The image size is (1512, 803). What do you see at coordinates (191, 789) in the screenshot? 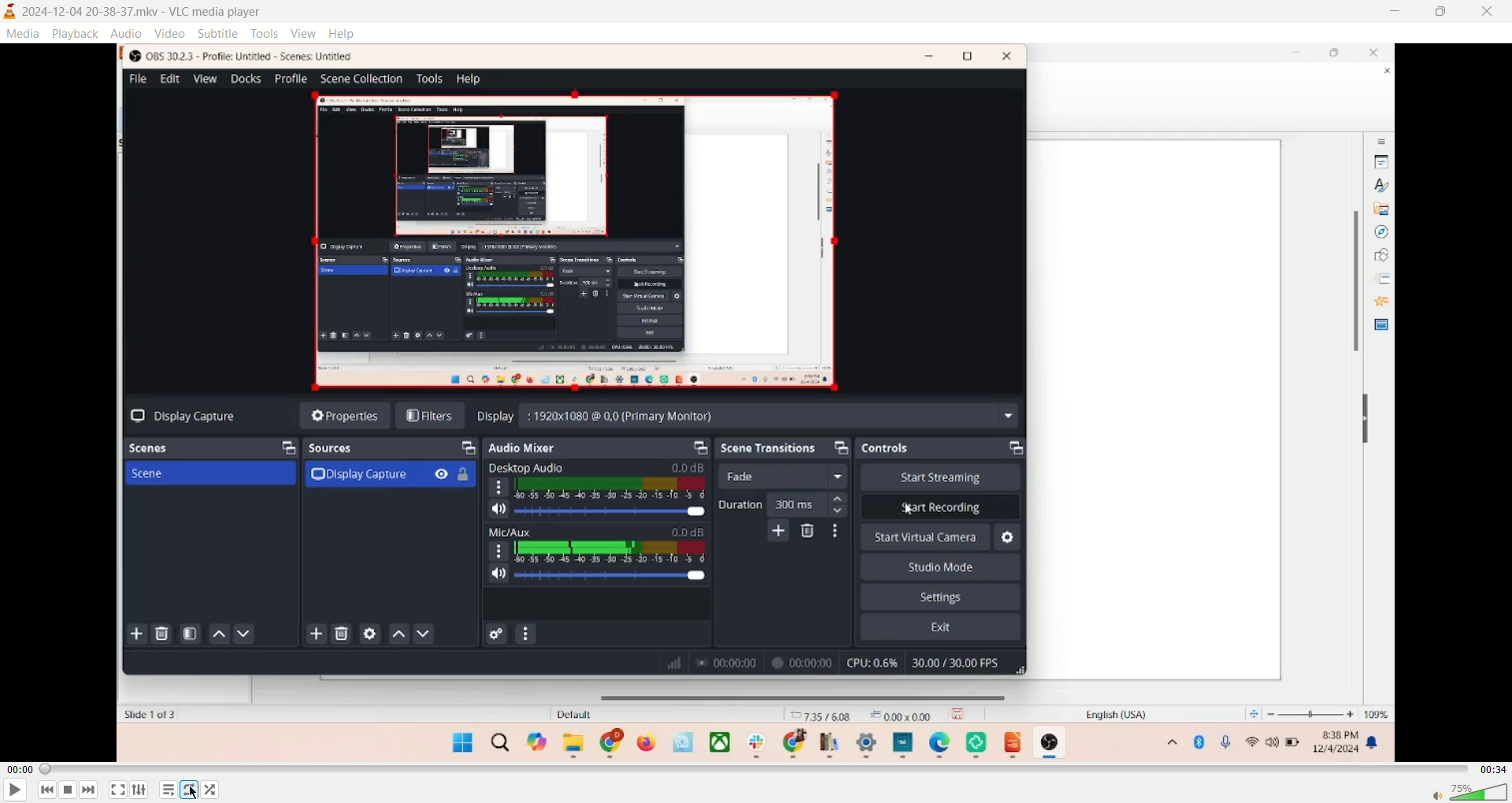
I see `toggle loop none` at bounding box center [191, 789].